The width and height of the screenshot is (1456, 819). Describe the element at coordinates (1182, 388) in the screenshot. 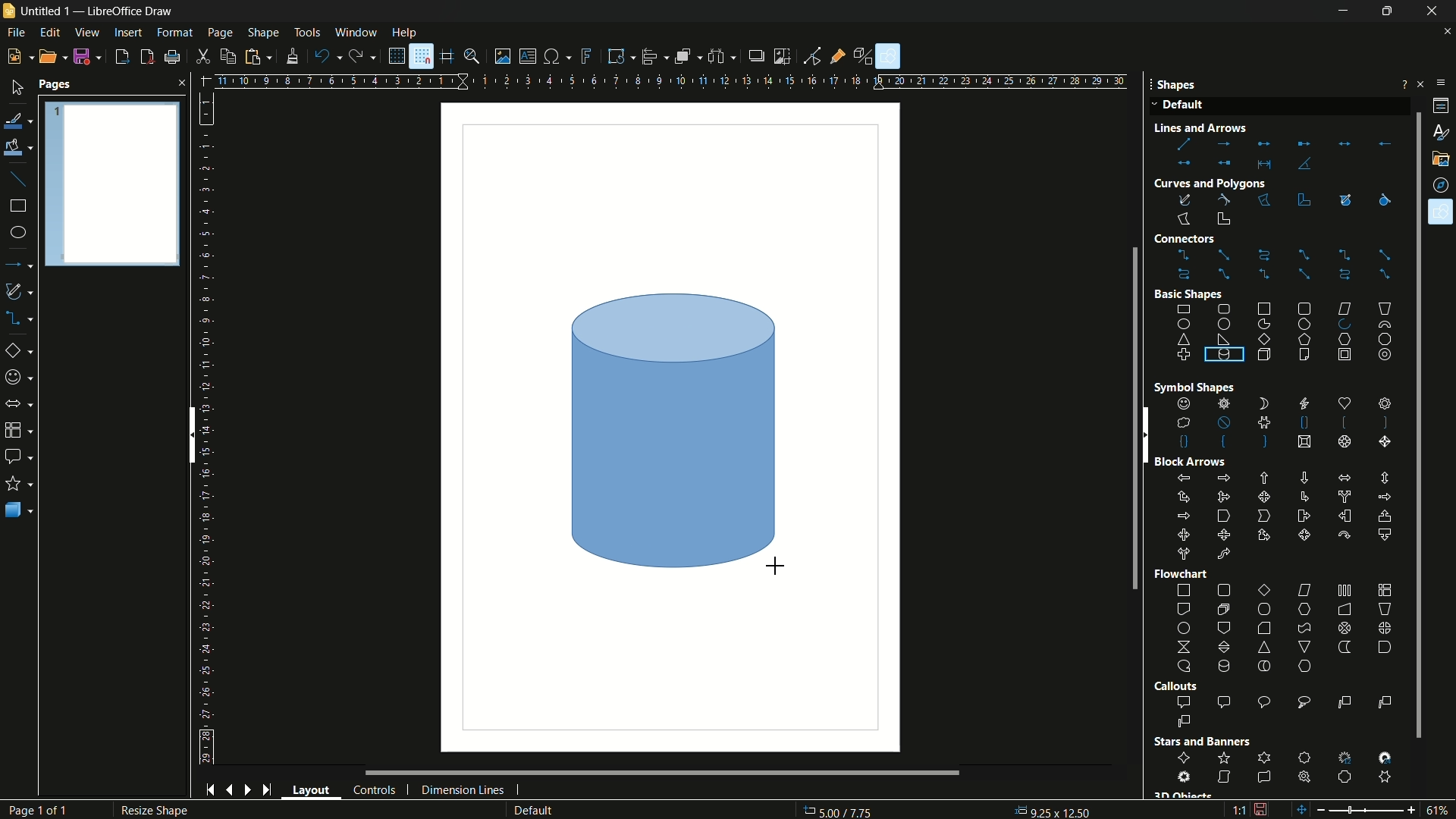

I see `Symbol Shape` at that location.